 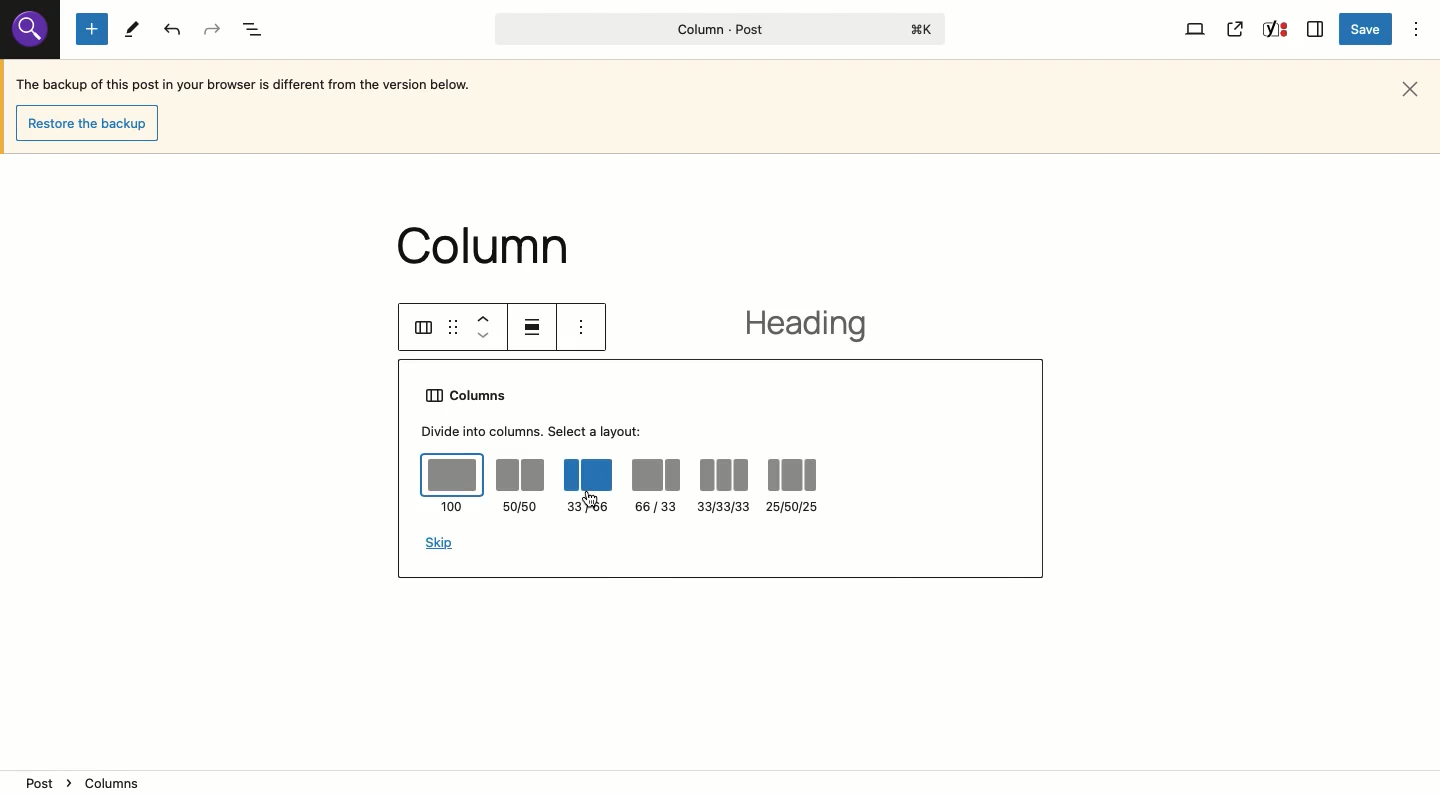 What do you see at coordinates (521, 487) in the screenshot?
I see `50,50` at bounding box center [521, 487].